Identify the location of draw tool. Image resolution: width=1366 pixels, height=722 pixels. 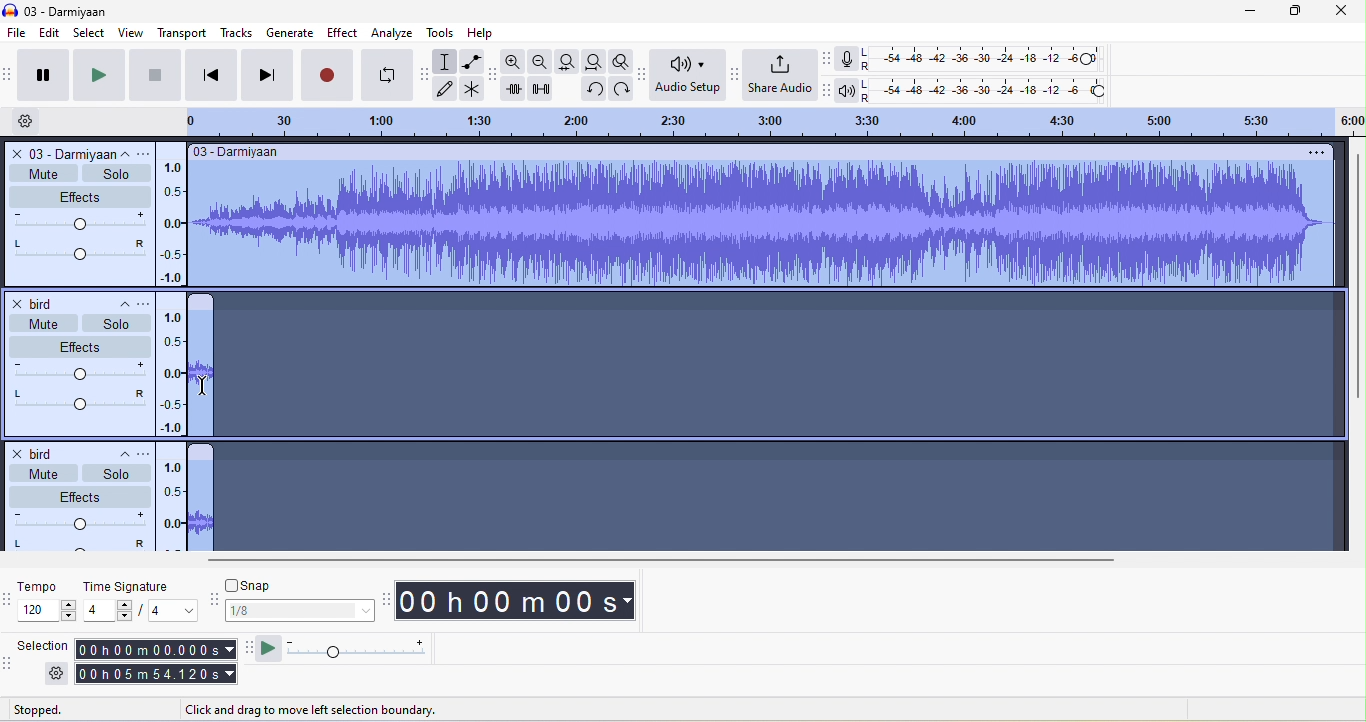
(450, 91).